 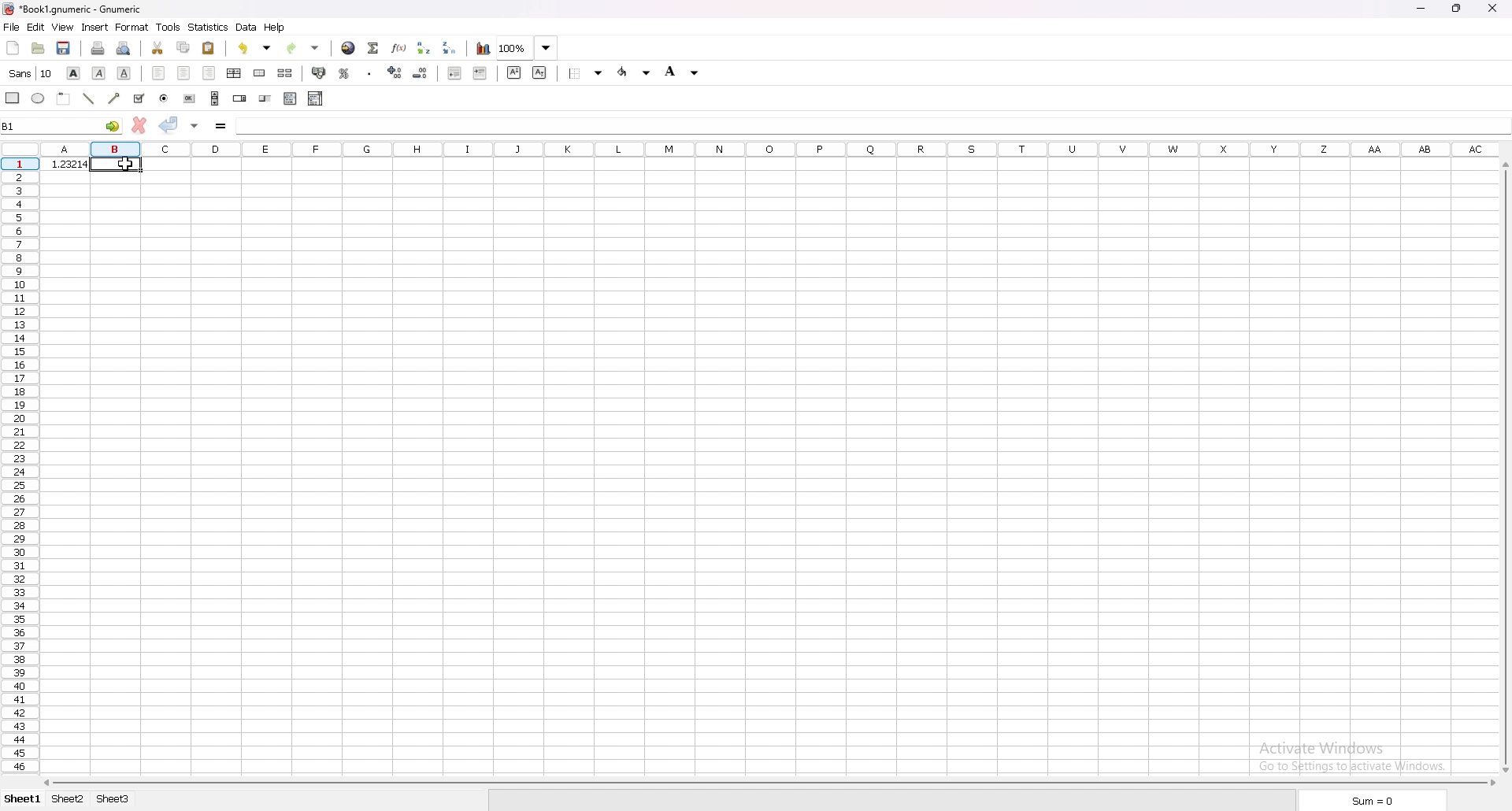 What do you see at coordinates (169, 27) in the screenshot?
I see `tools` at bounding box center [169, 27].